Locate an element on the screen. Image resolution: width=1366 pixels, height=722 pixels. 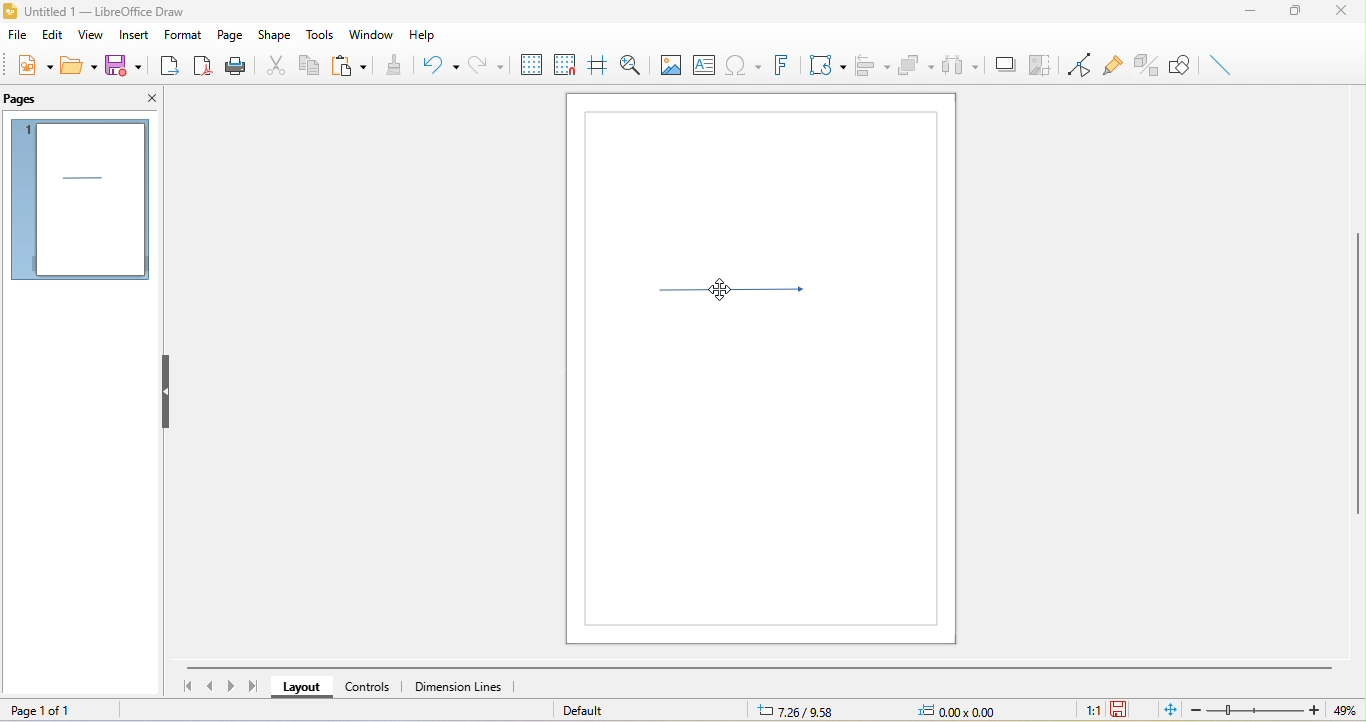
shadow is located at coordinates (1006, 65).